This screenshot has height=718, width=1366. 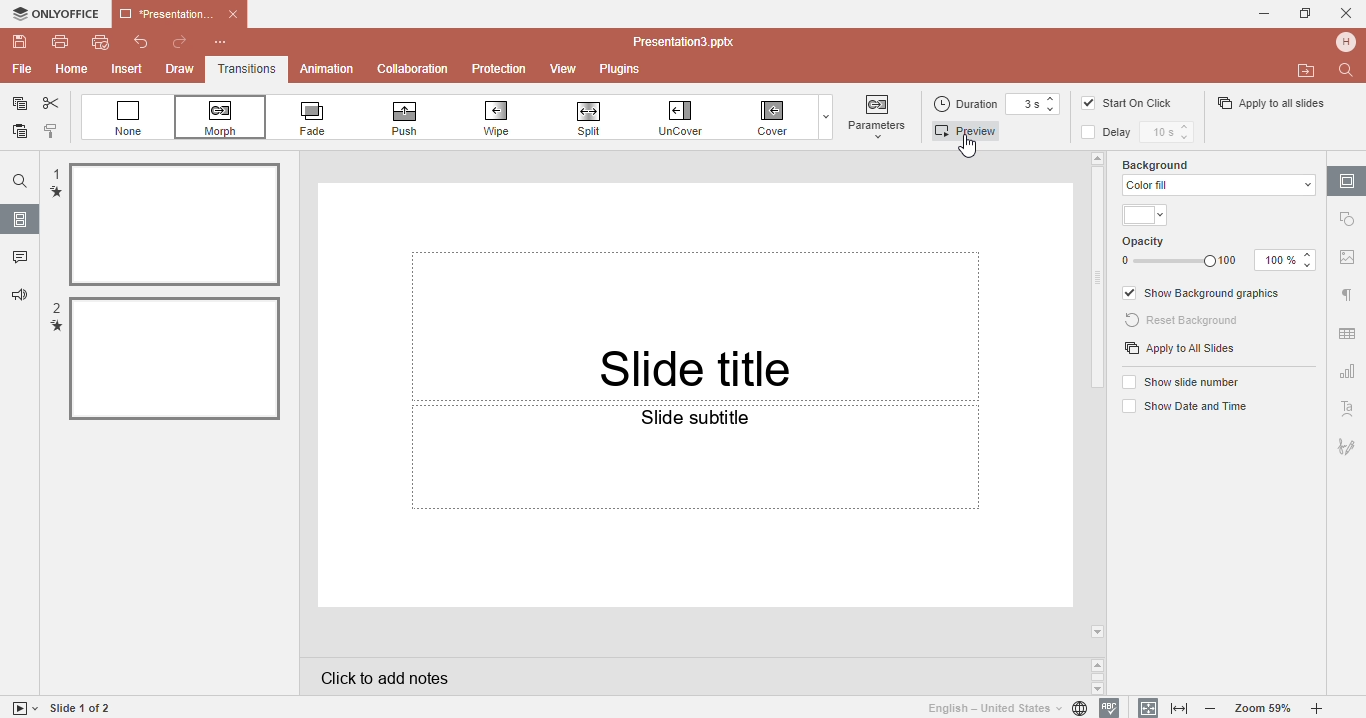 I want to click on Slide settings, so click(x=1347, y=180).